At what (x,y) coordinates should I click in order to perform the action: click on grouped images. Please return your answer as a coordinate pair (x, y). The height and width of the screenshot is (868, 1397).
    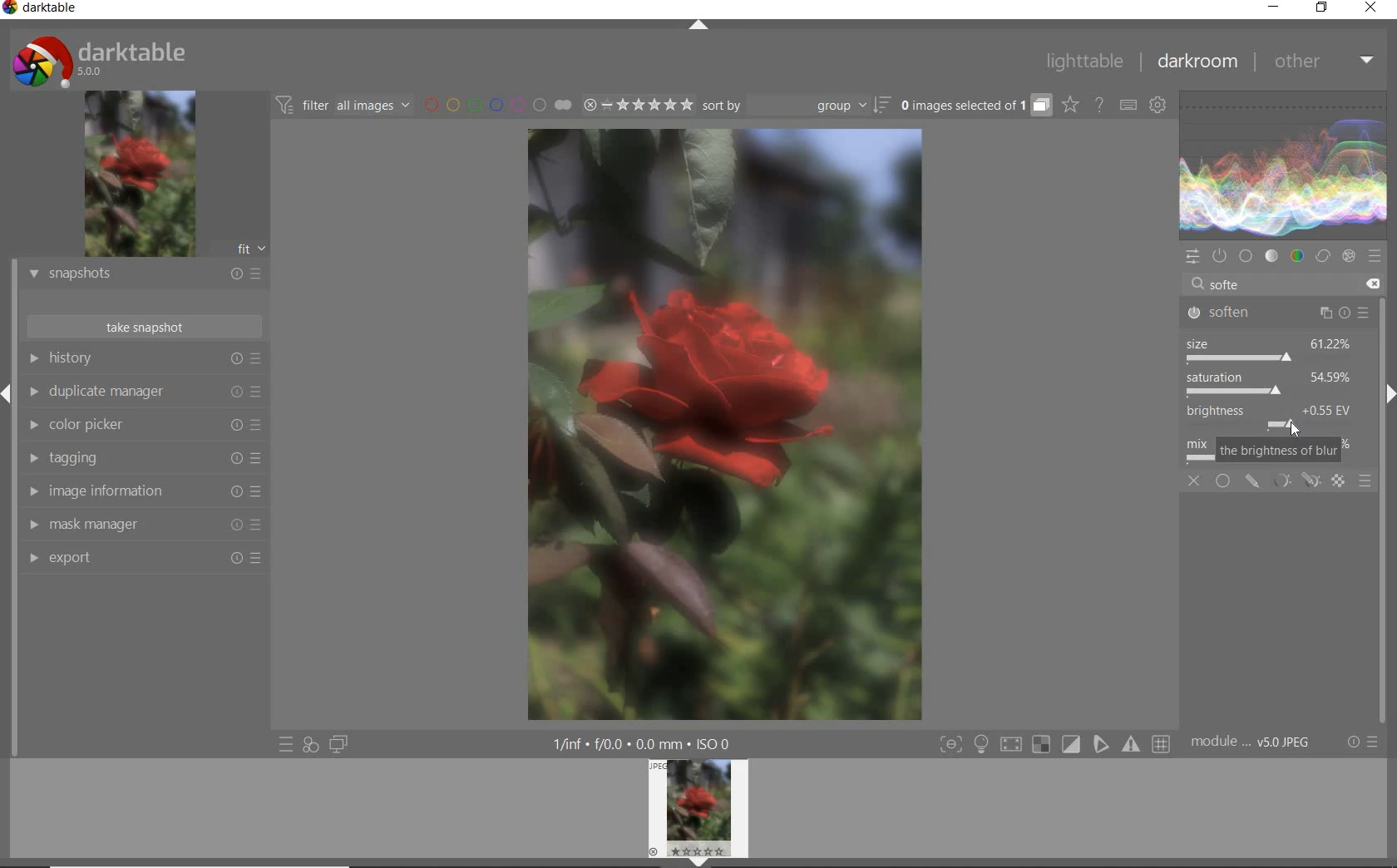
    Looking at the image, I should click on (974, 106).